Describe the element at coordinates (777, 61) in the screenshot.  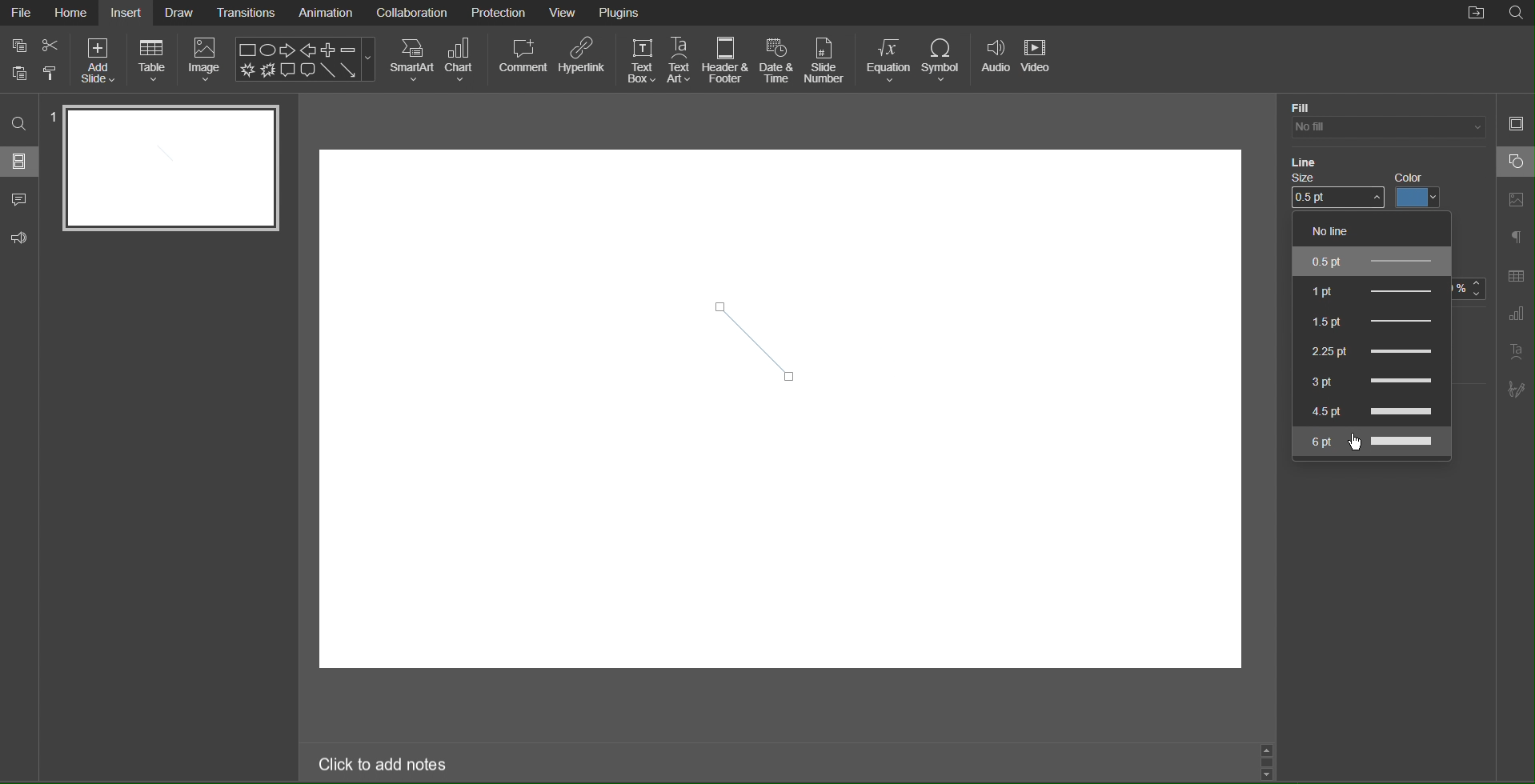
I see `Date & Time` at that location.